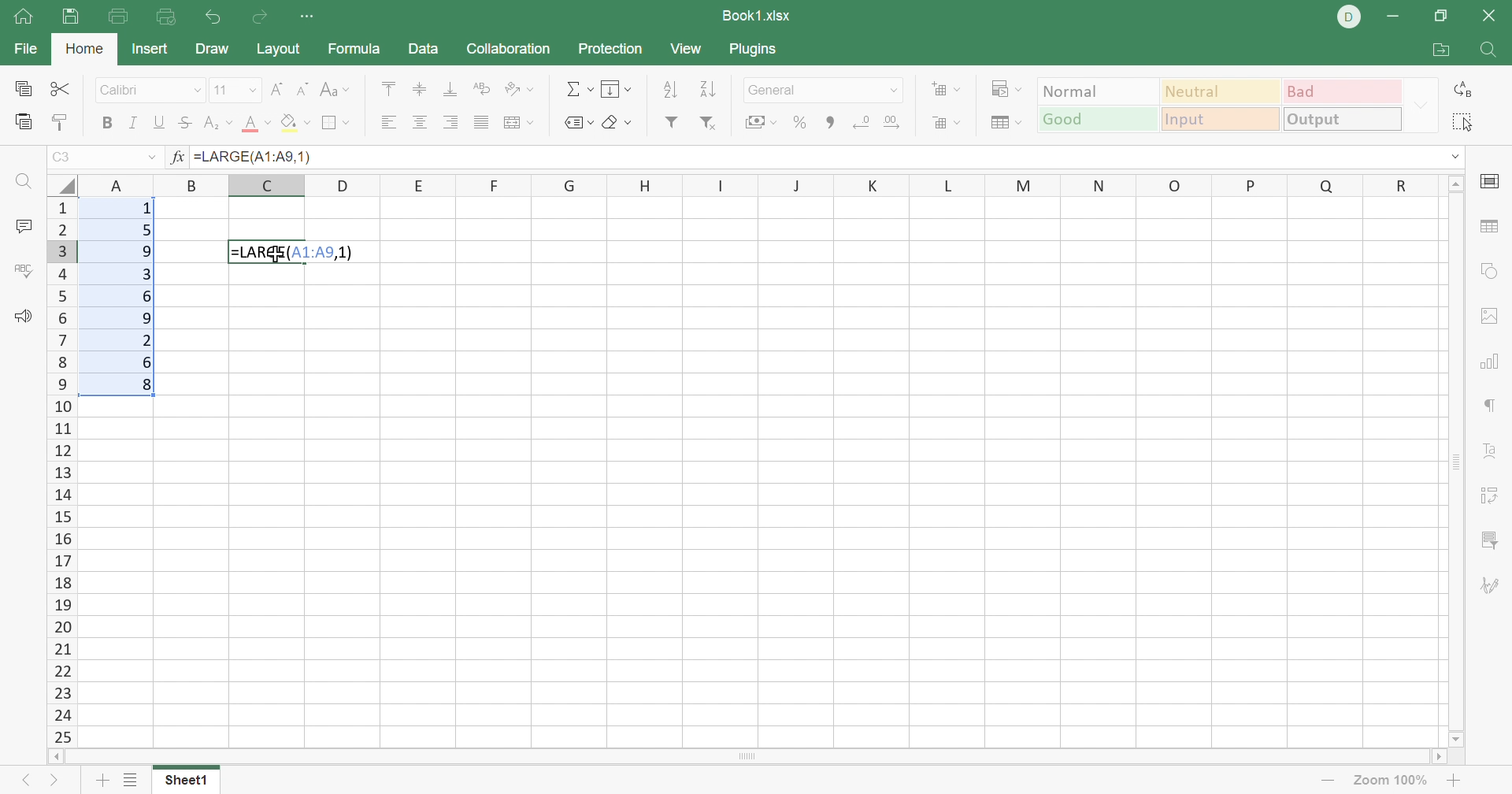  What do you see at coordinates (261, 20) in the screenshot?
I see `Redo` at bounding box center [261, 20].